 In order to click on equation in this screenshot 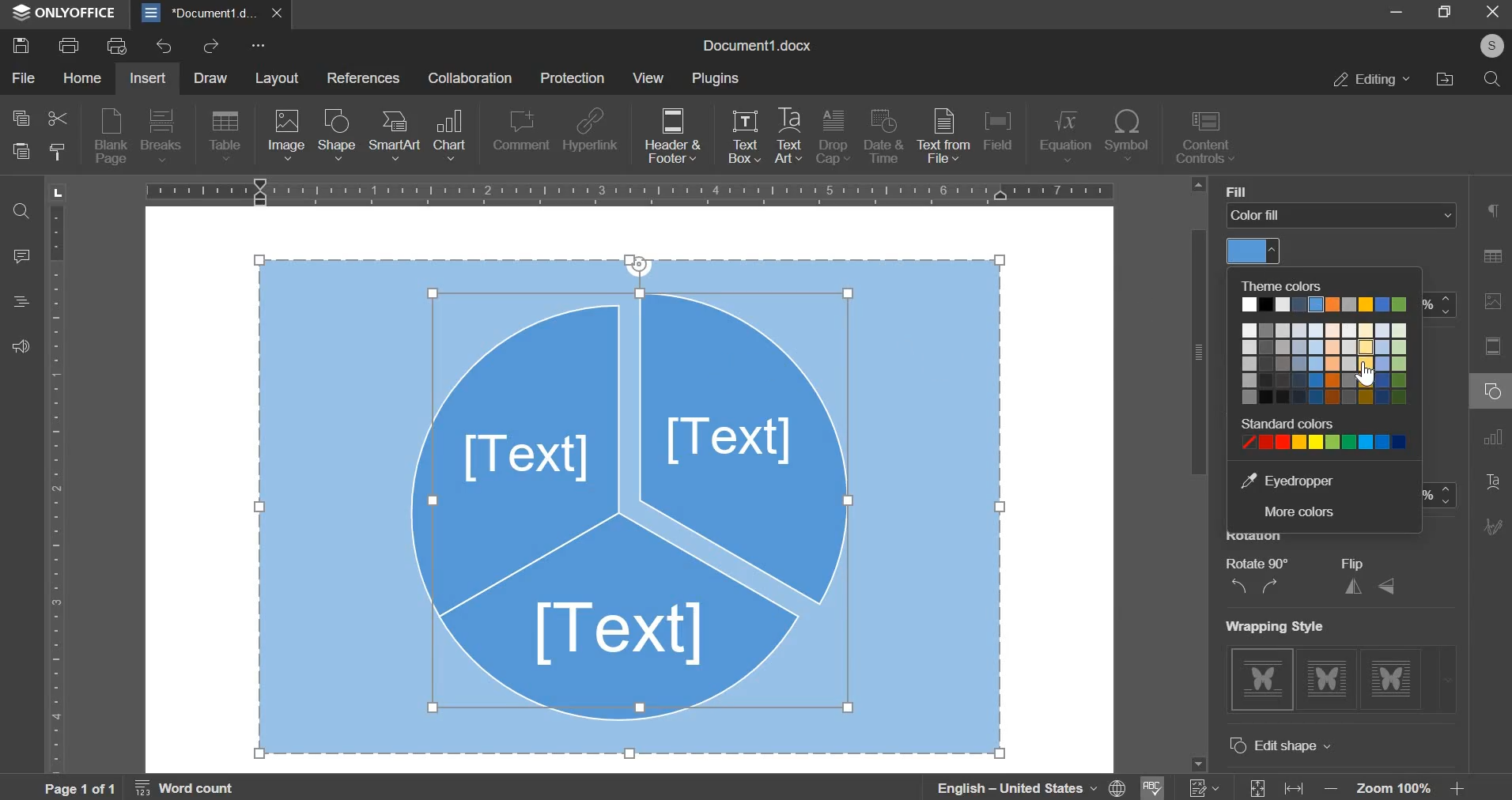, I will do `click(1066, 137)`.